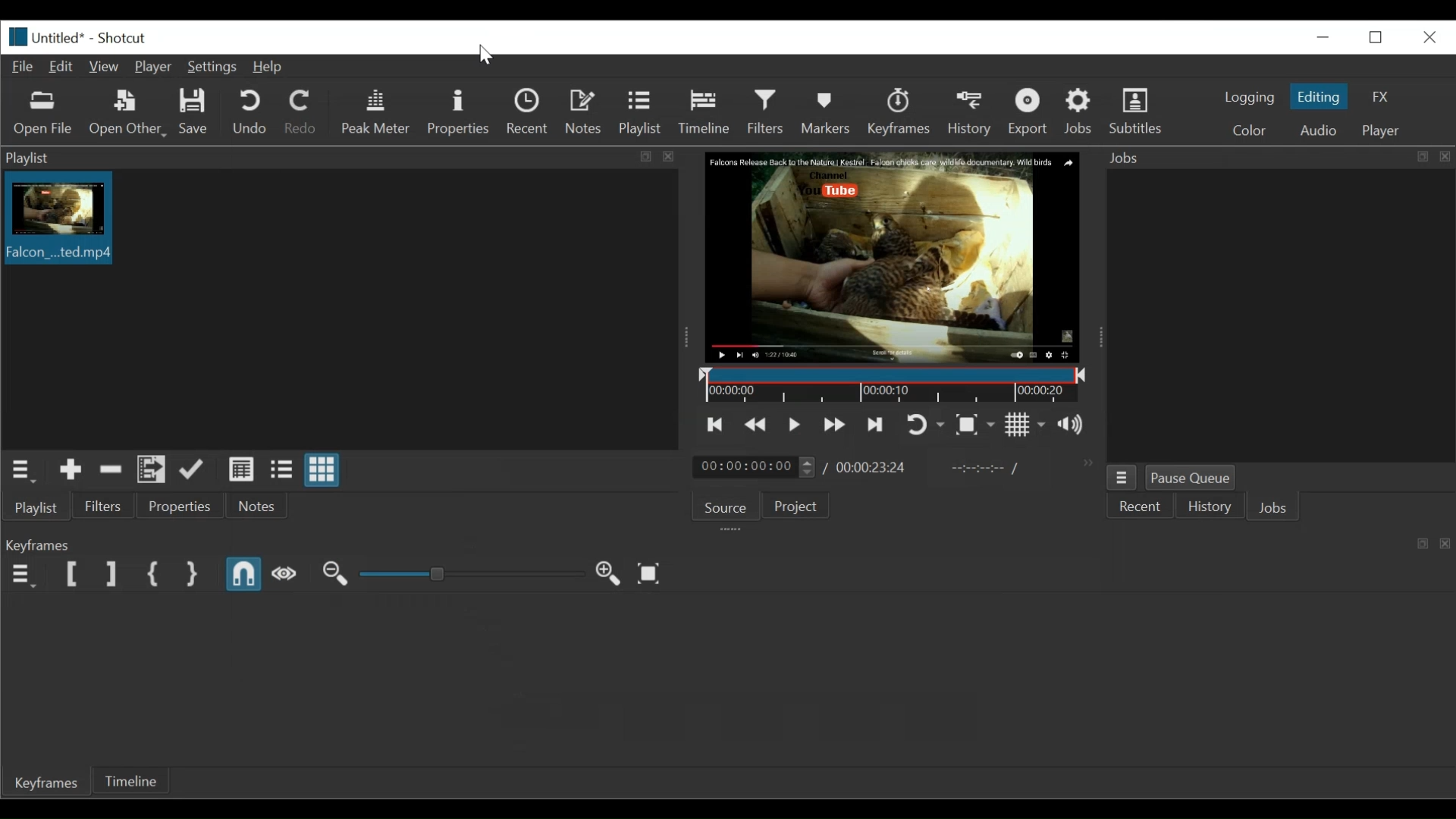 The width and height of the screenshot is (1456, 819). What do you see at coordinates (1250, 128) in the screenshot?
I see `Color` at bounding box center [1250, 128].